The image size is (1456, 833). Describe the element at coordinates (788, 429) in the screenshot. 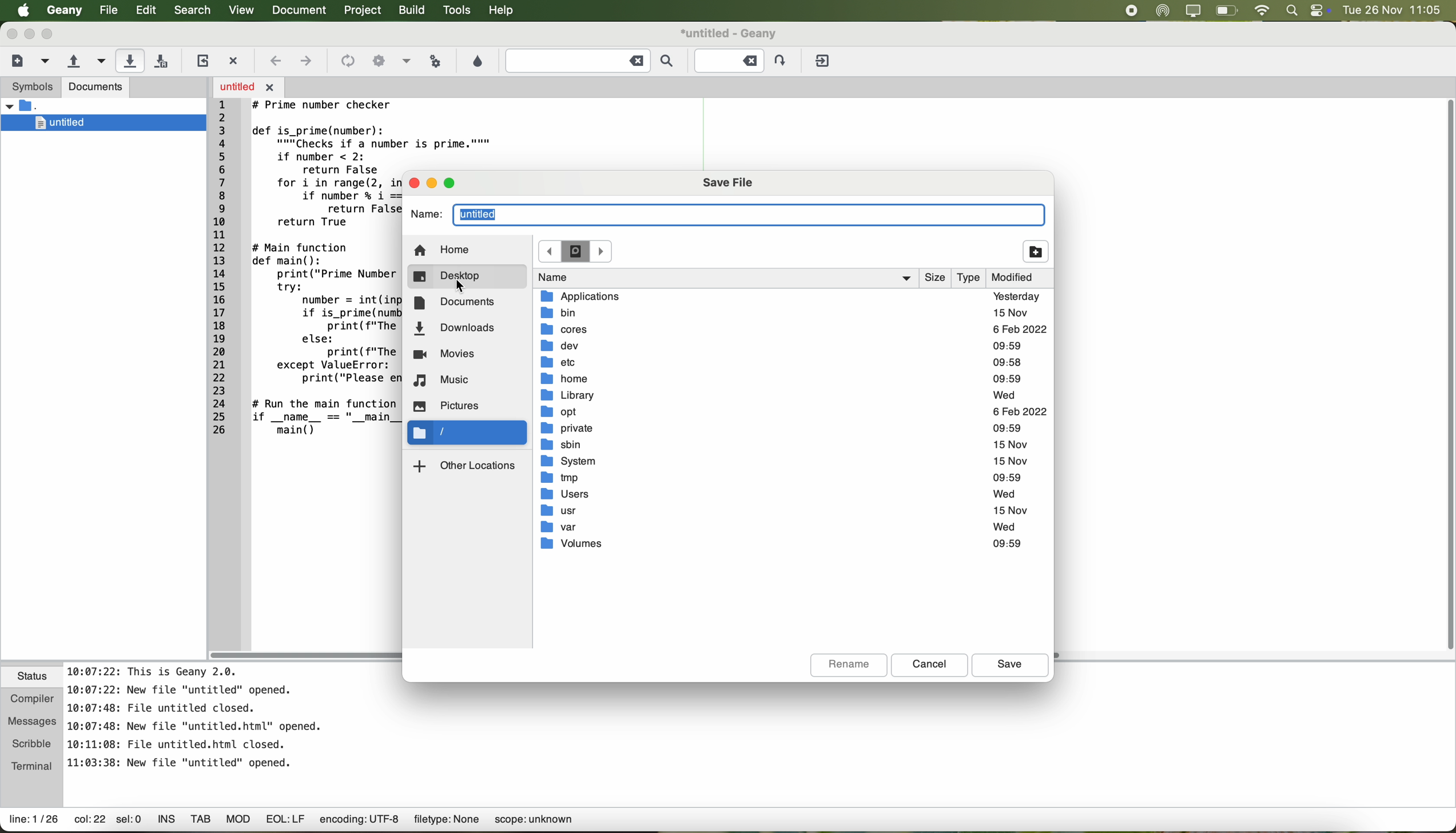

I see `private` at that location.